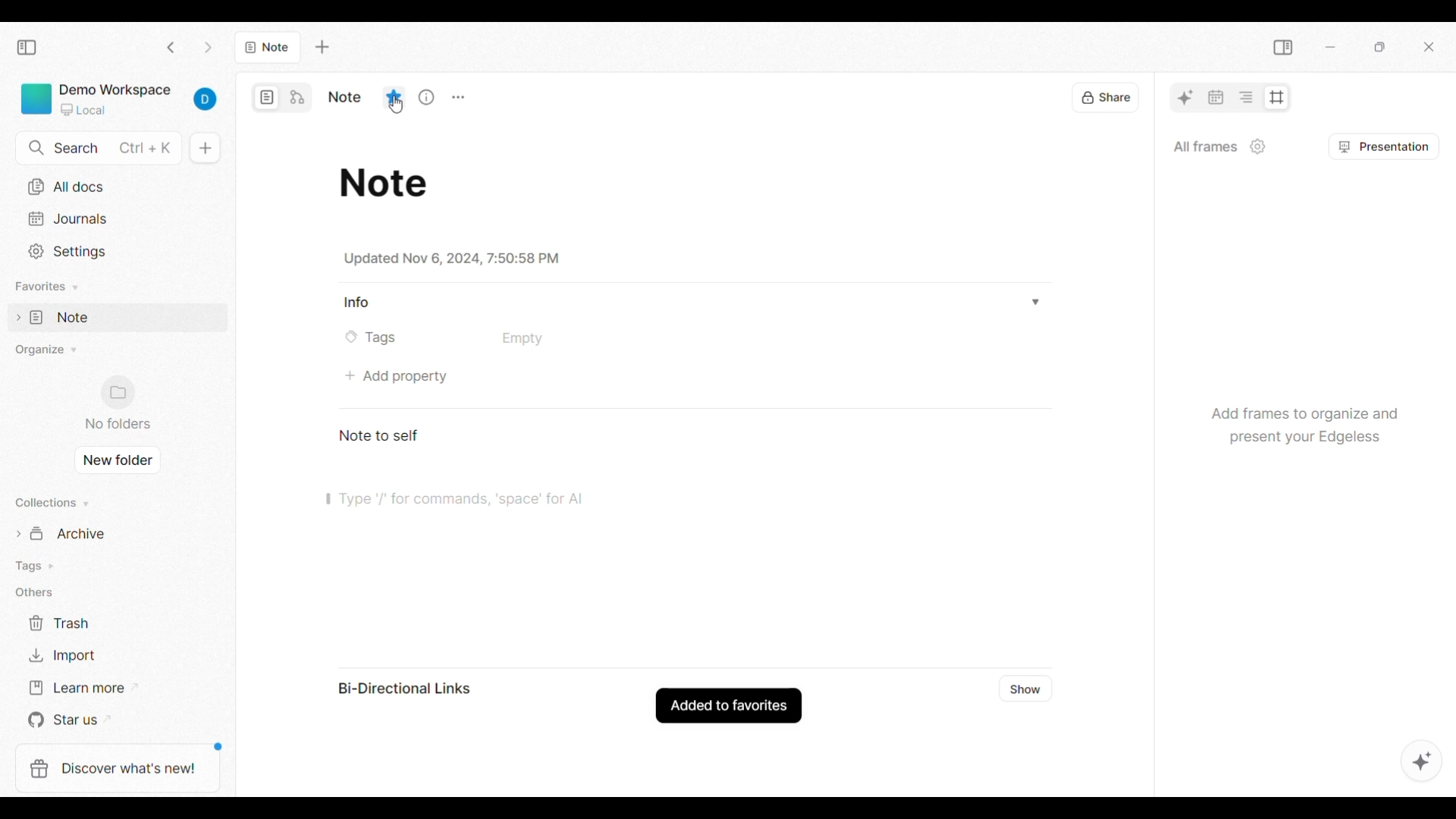  What do you see at coordinates (1385, 146) in the screenshot?
I see `Switch to presentation mode` at bounding box center [1385, 146].